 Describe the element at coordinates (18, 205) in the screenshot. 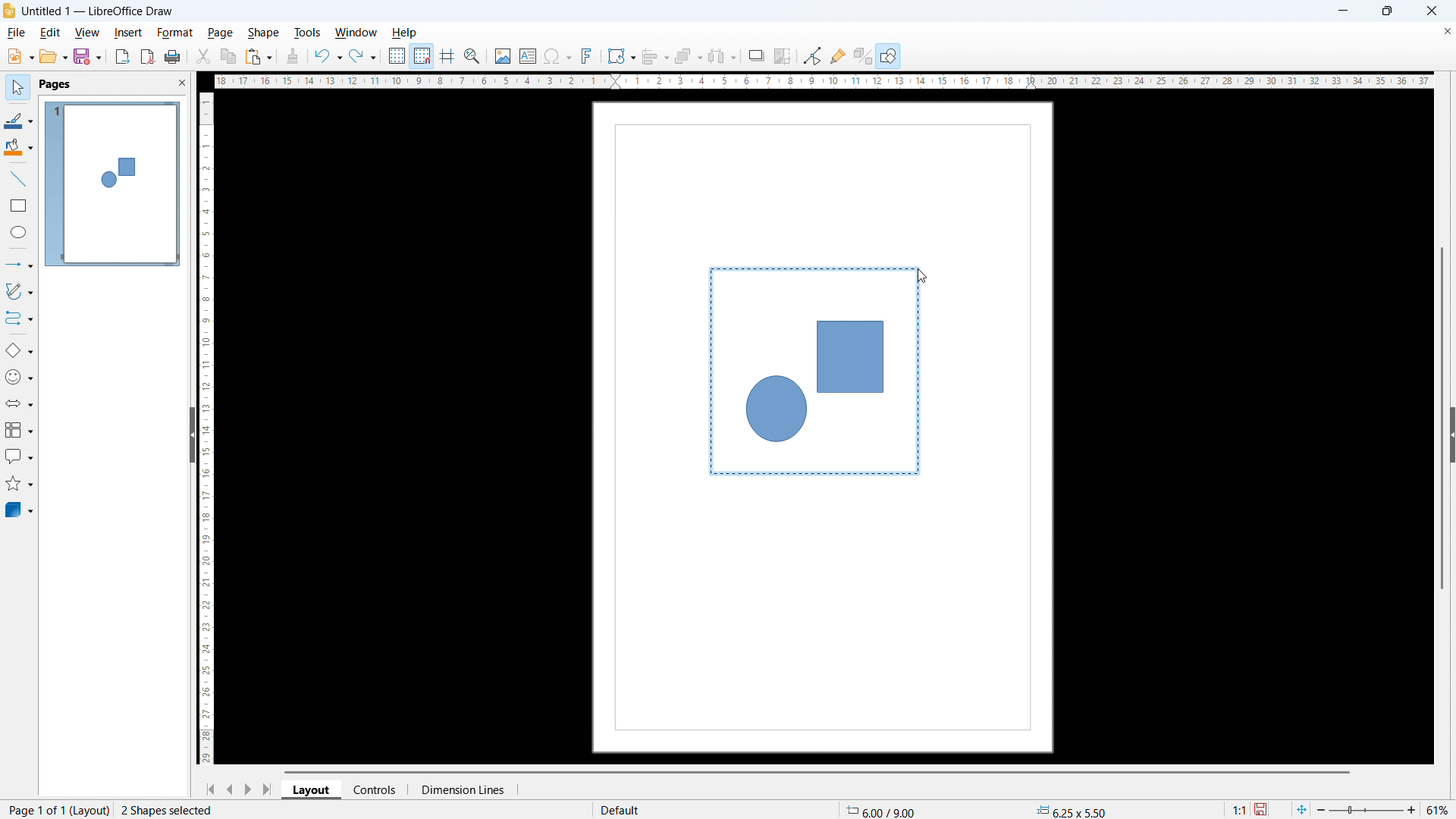

I see `rectangle` at that location.